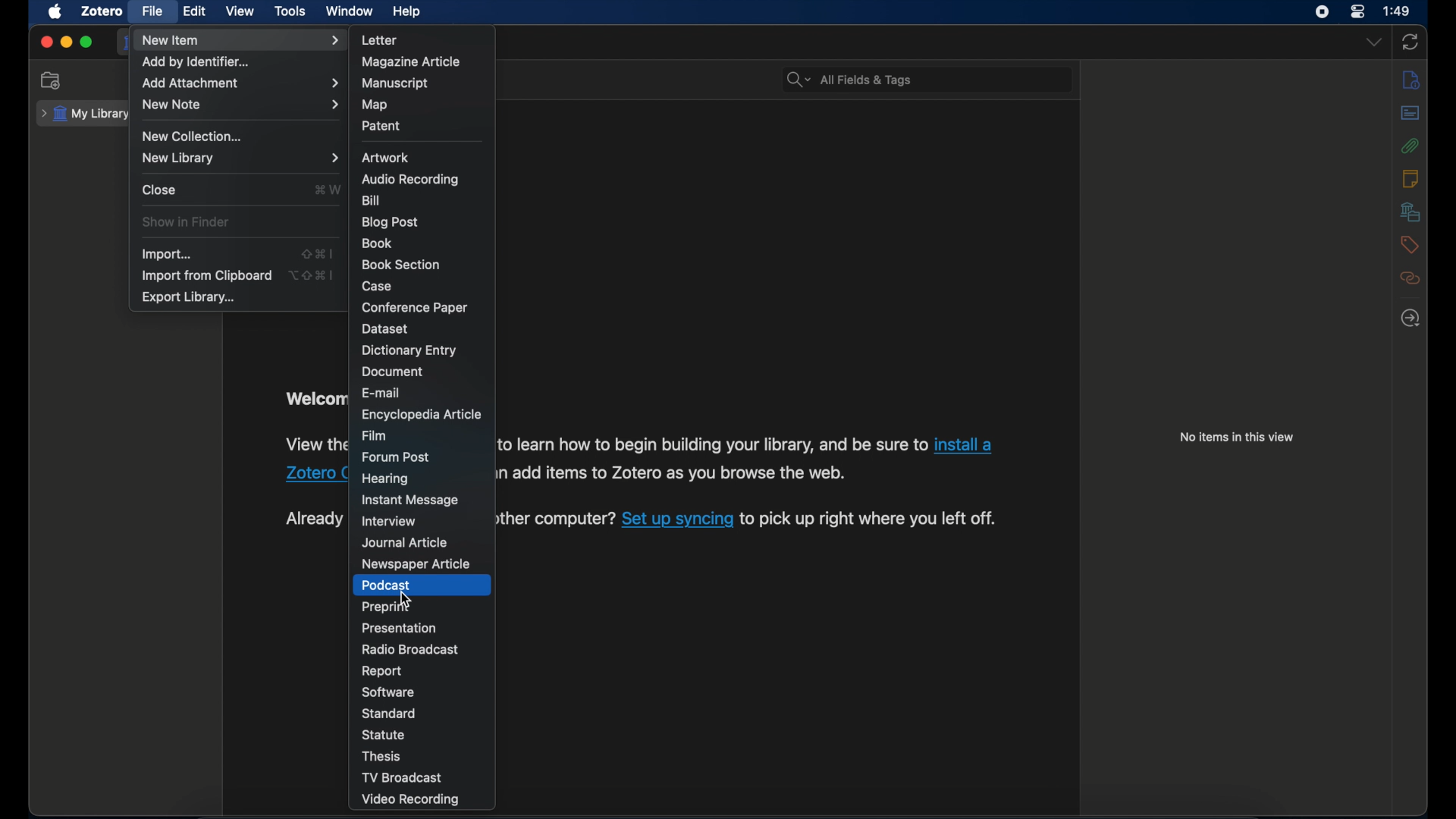 The width and height of the screenshot is (1456, 819). I want to click on my library, so click(83, 115).